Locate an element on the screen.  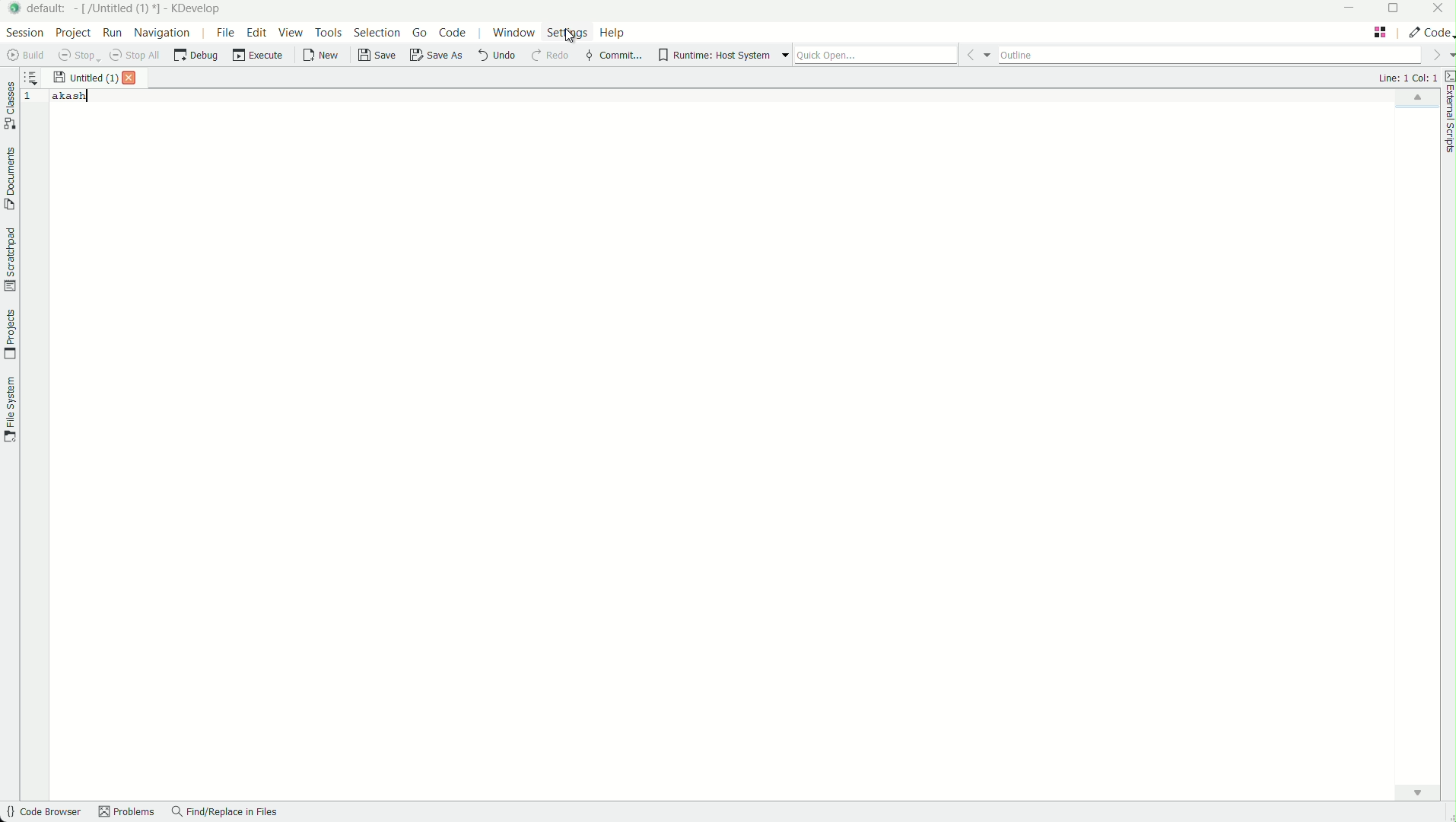
problems is located at coordinates (127, 813).